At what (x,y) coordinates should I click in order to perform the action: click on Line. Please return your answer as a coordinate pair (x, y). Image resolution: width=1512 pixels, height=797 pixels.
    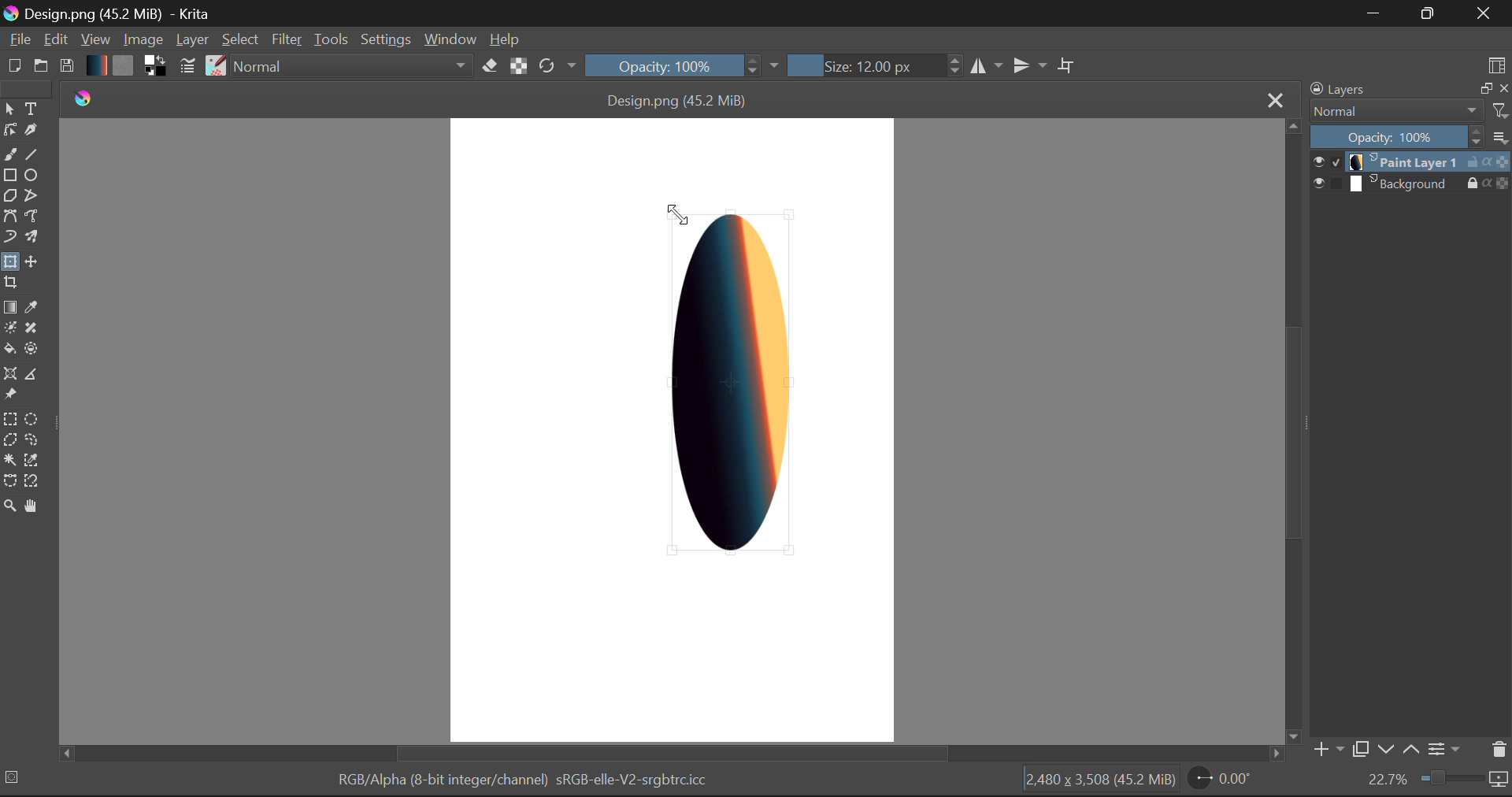
    Looking at the image, I should click on (30, 153).